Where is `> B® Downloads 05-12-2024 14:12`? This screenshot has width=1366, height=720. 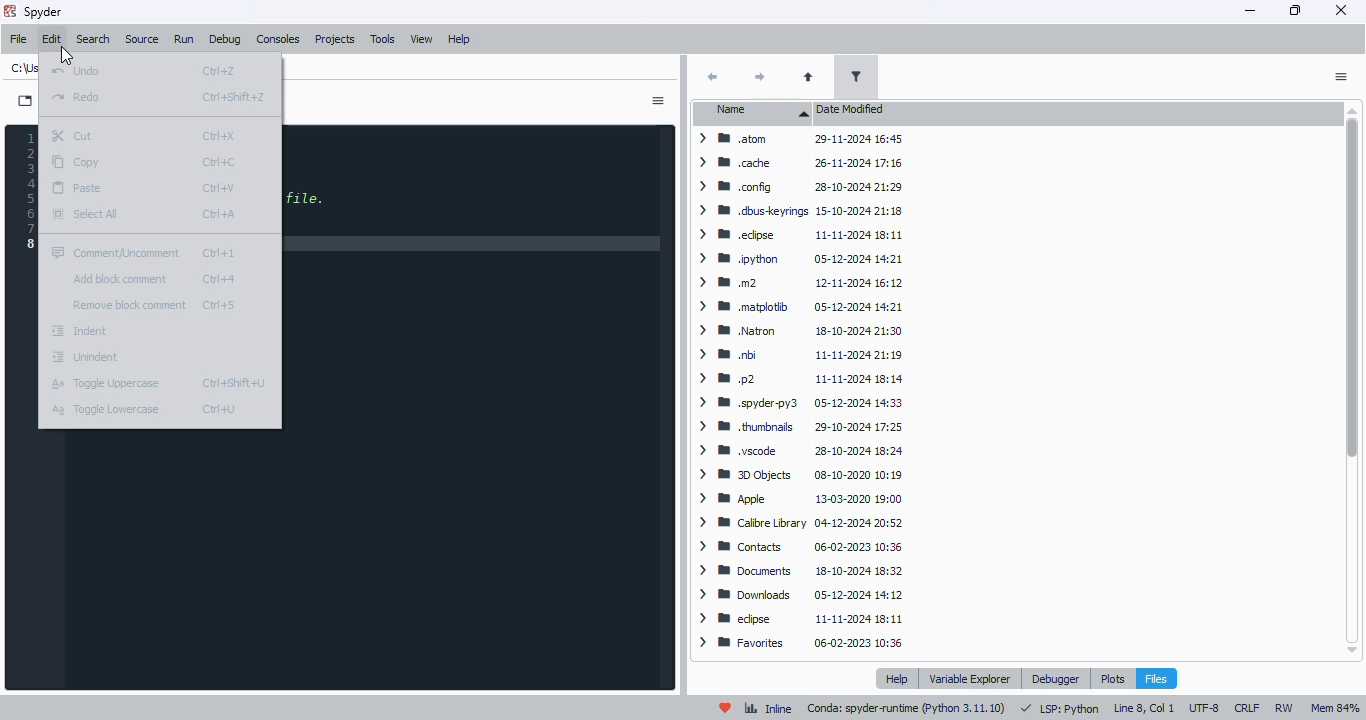 > B® Downloads 05-12-2024 14:12 is located at coordinates (802, 595).